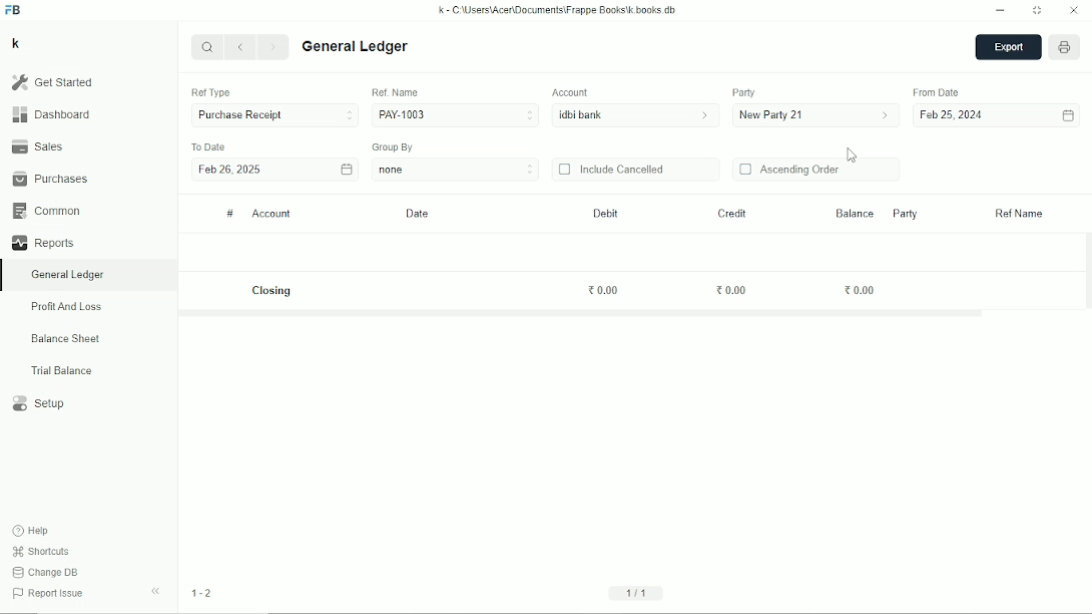 The image size is (1092, 614). What do you see at coordinates (274, 291) in the screenshot?
I see `Closing` at bounding box center [274, 291].